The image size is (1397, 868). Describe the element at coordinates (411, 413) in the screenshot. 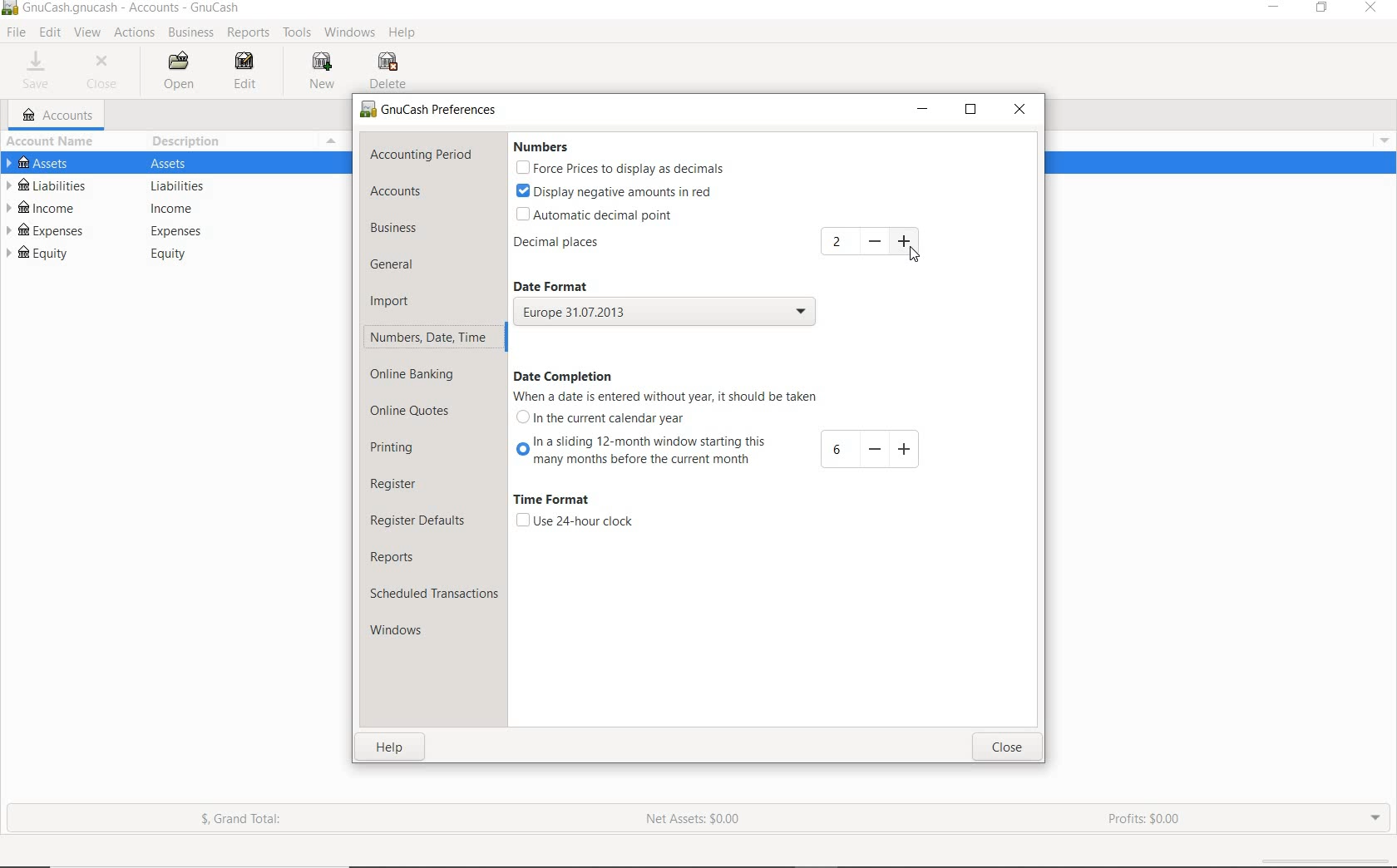

I see `online quotes` at that location.